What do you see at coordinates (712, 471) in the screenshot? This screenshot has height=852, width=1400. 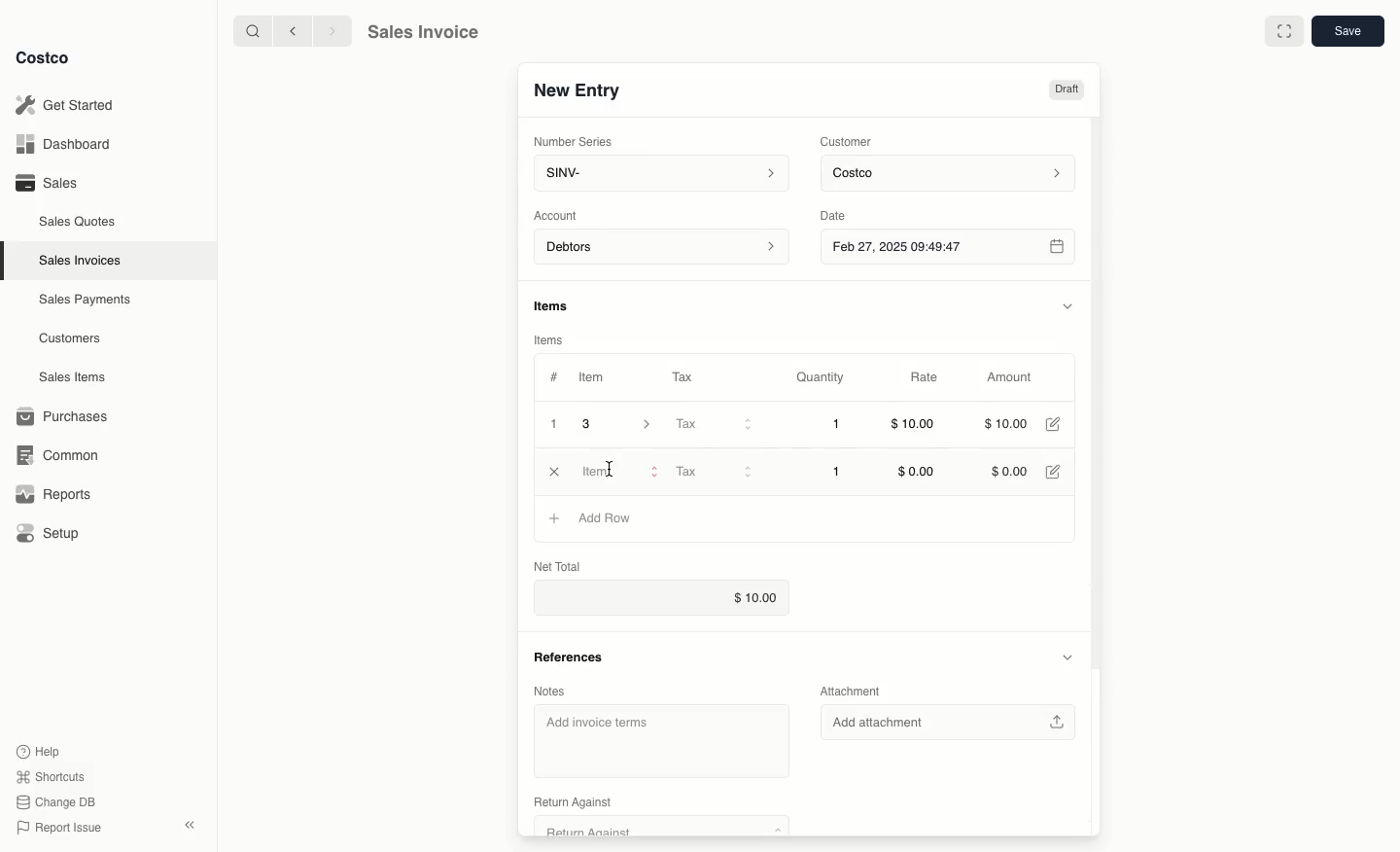 I see `Tax` at bounding box center [712, 471].